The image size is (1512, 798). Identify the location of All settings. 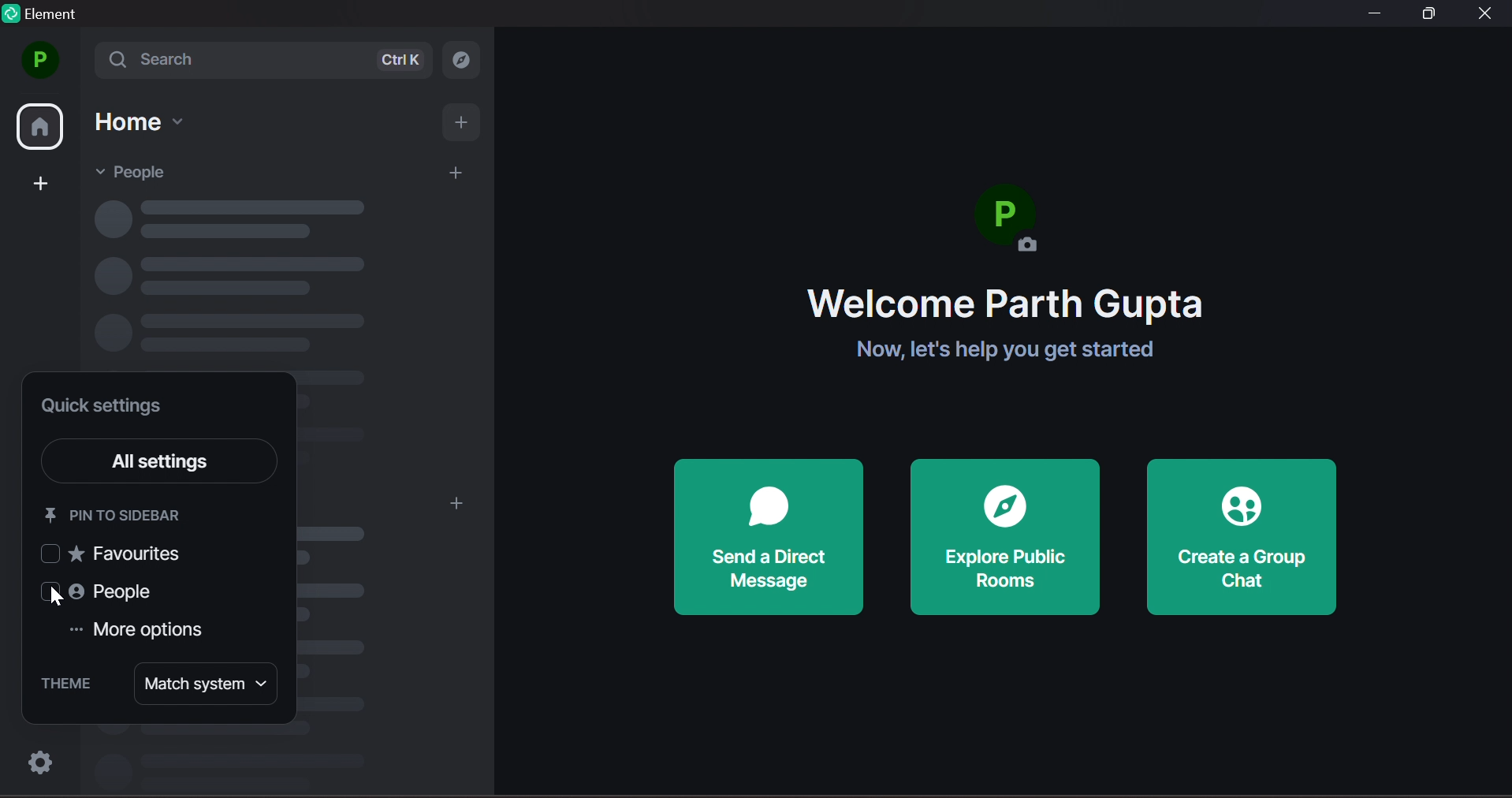
(181, 463).